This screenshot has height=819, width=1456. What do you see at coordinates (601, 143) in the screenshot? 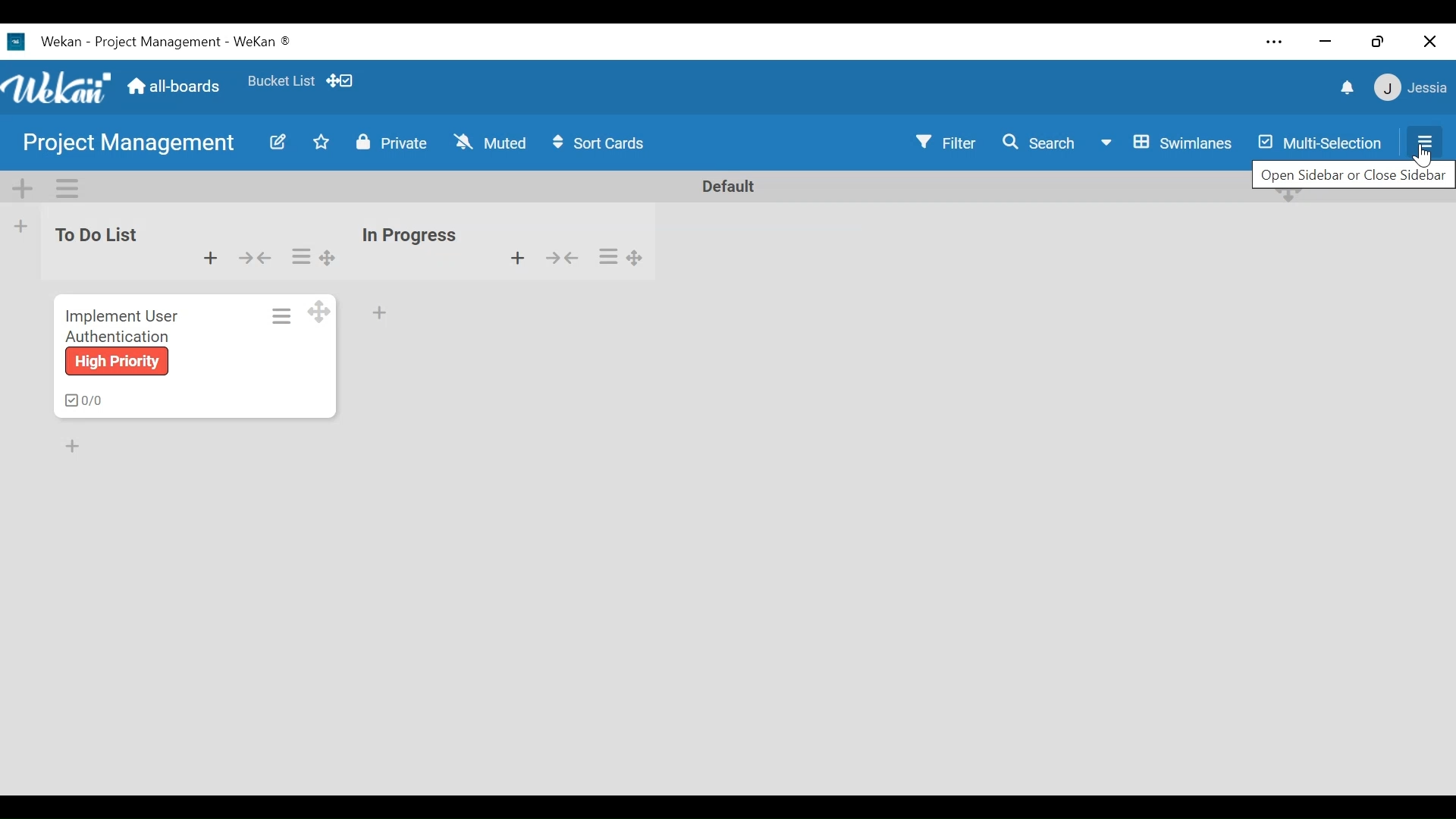
I see `Sort Cards` at bounding box center [601, 143].